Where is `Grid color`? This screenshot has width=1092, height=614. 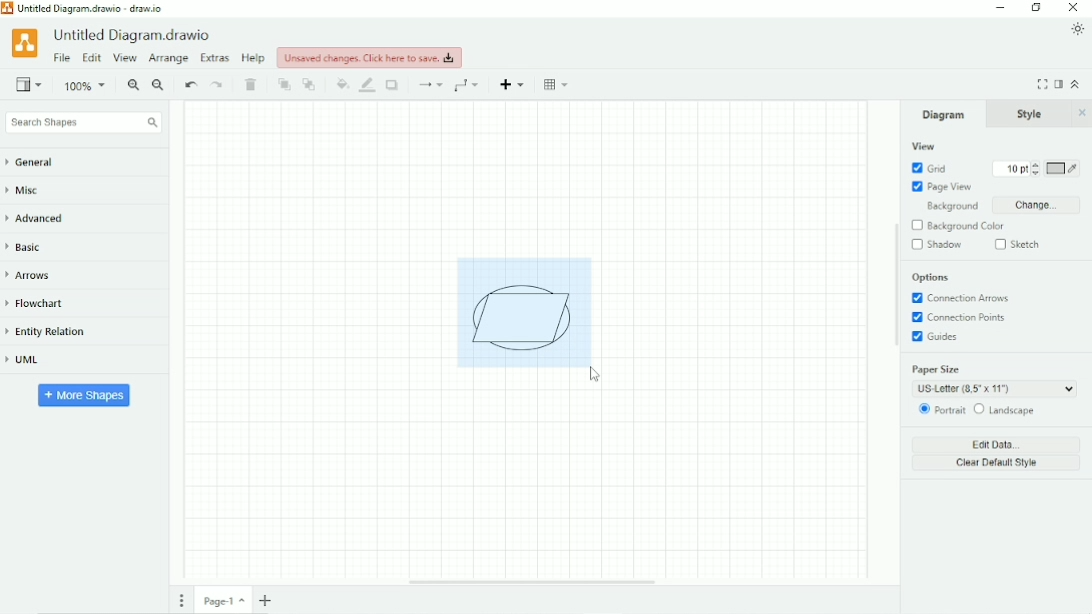
Grid color is located at coordinates (1063, 169).